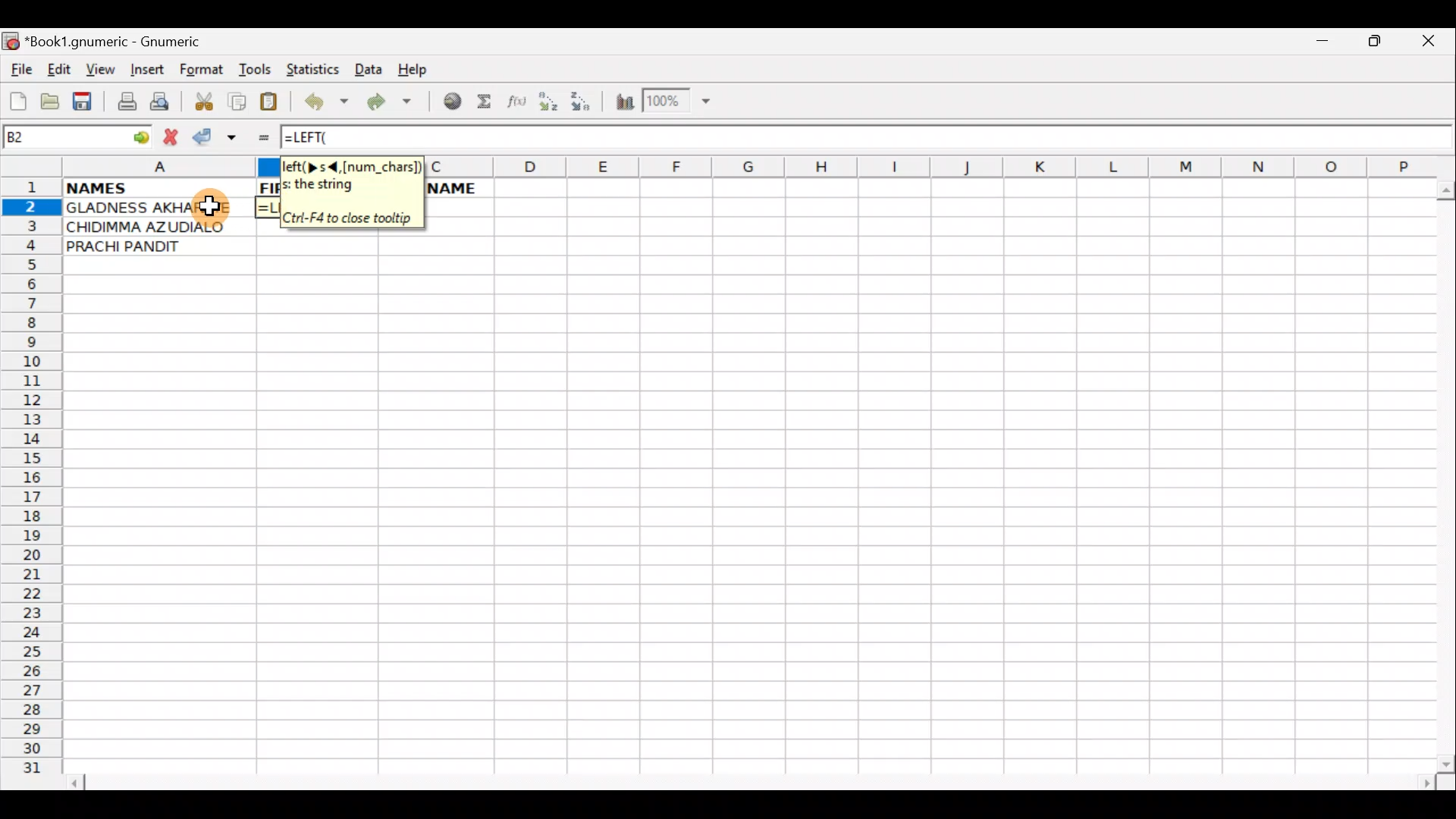 This screenshot has width=1456, height=819. Describe the element at coordinates (11, 42) in the screenshot. I see `Gnumeric logo` at that location.